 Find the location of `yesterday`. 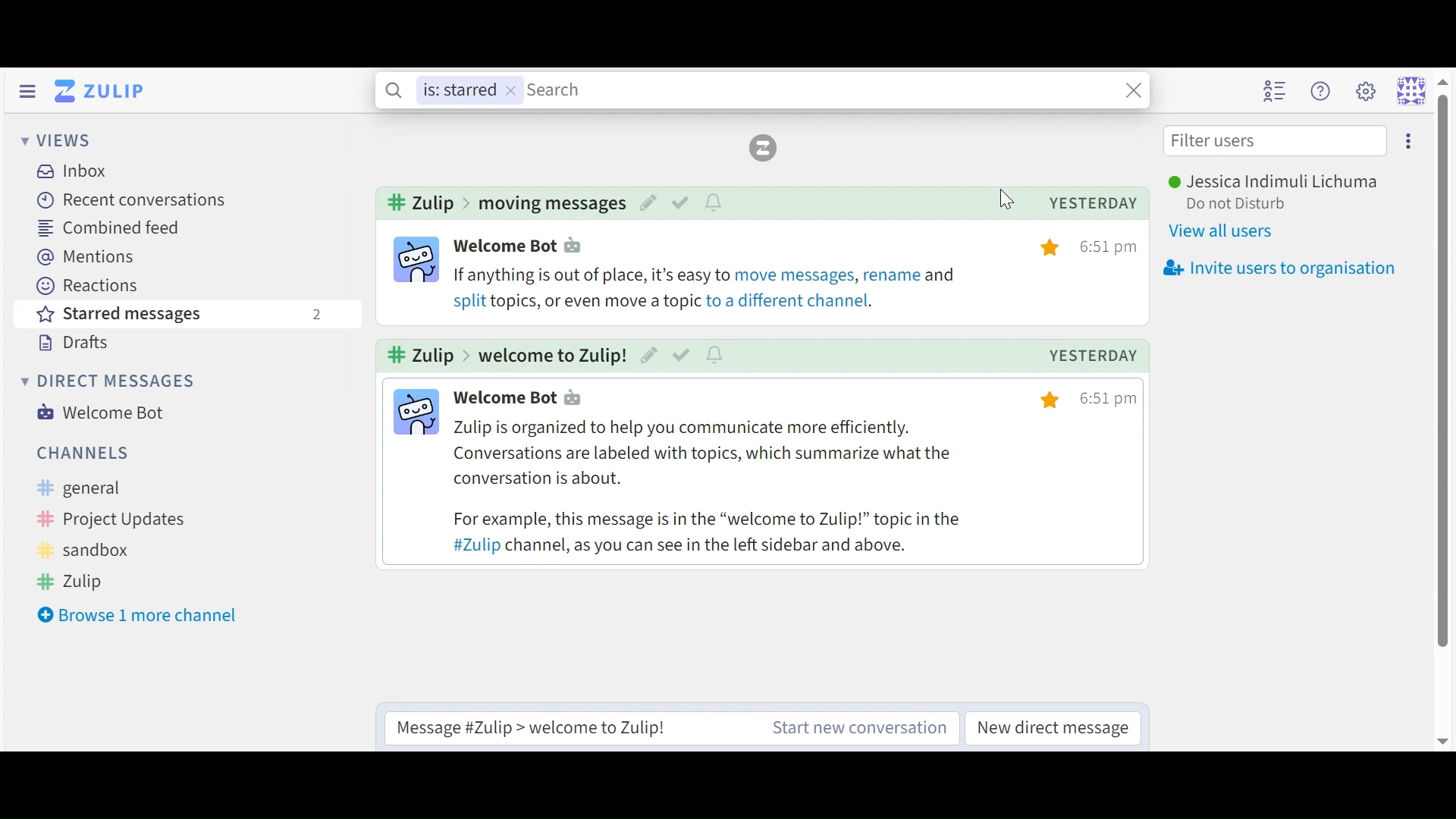

yesterday is located at coordinates (1093, 356).